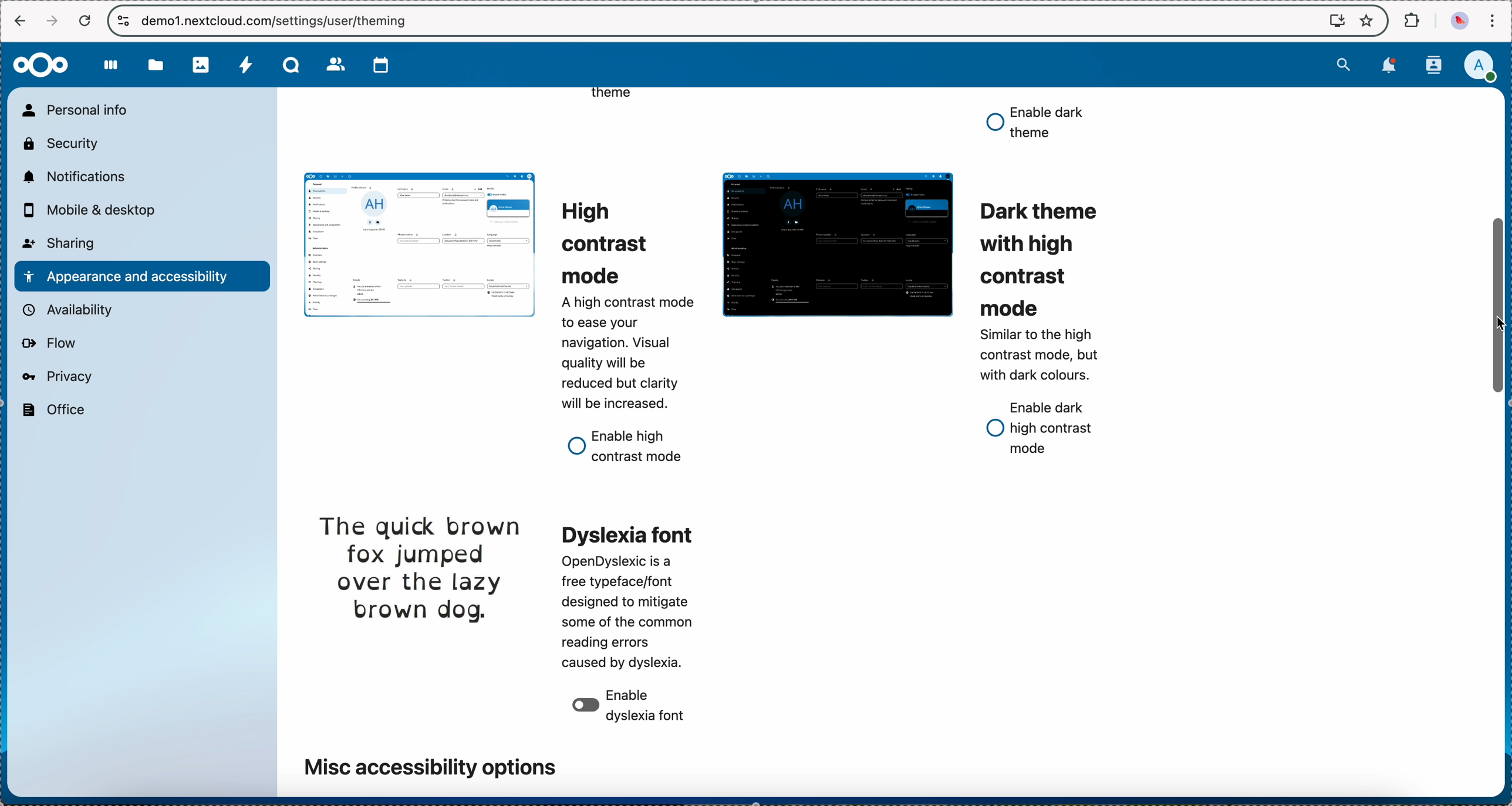 This screenshot has width=1512, height=806. What do you see at coordinates (634, 594) in the screenshot?
I see `dyslexia font theme` at bounding box center [634, 594].